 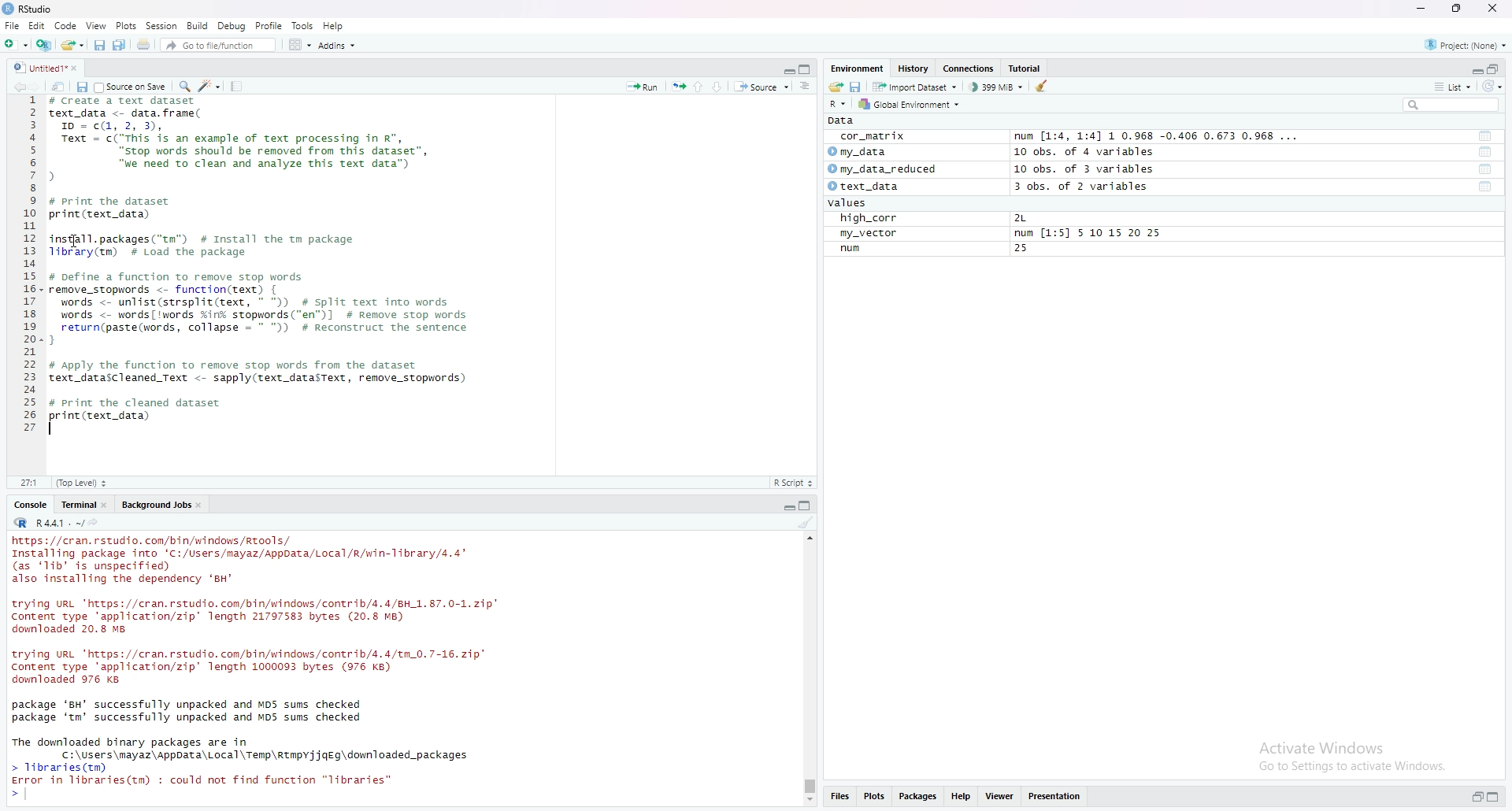 I want to click on R.4.4.1, so click(x=48, y=524).